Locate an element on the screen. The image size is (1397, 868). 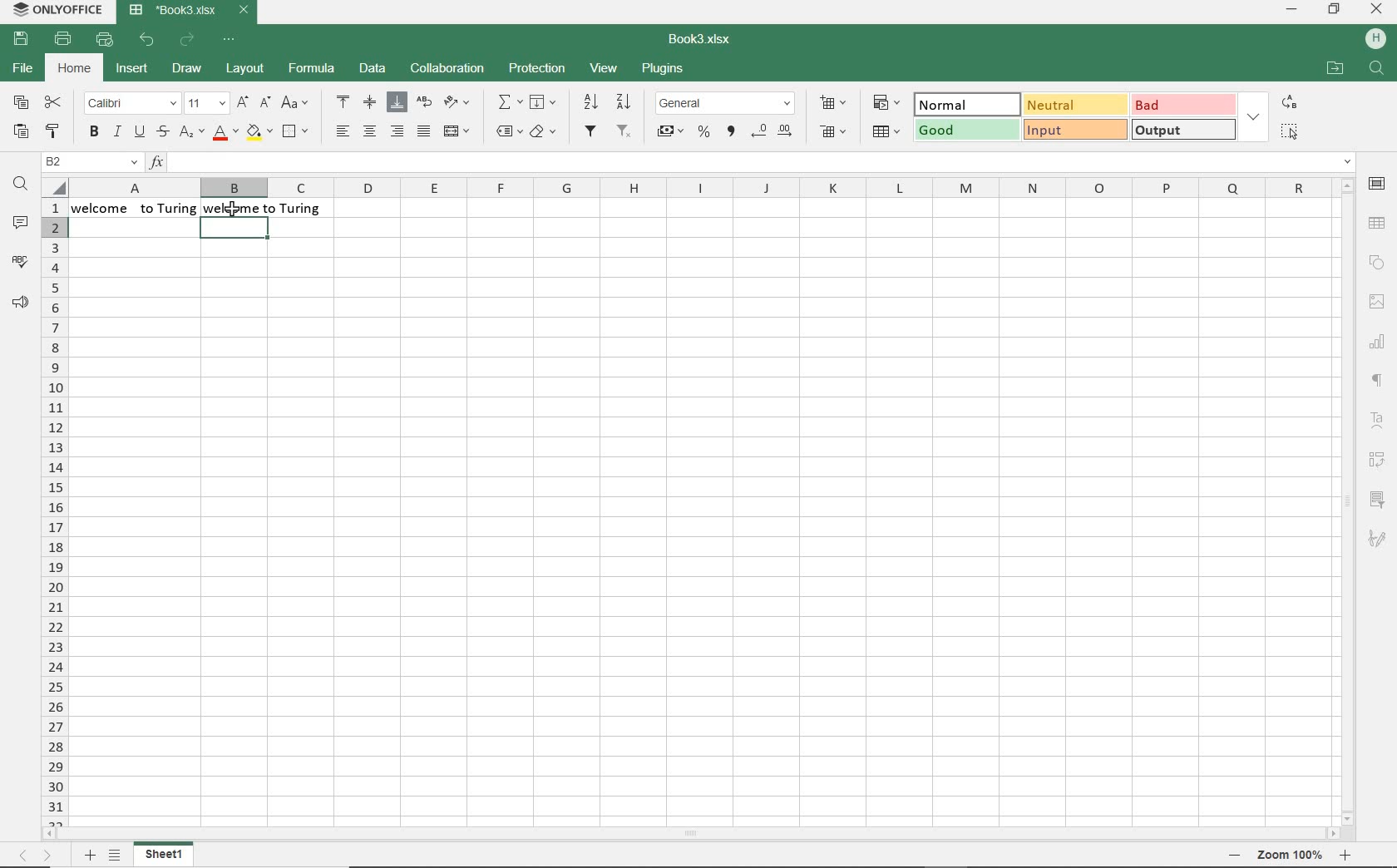
paragraph settings is located at coordinates (1379, 379).